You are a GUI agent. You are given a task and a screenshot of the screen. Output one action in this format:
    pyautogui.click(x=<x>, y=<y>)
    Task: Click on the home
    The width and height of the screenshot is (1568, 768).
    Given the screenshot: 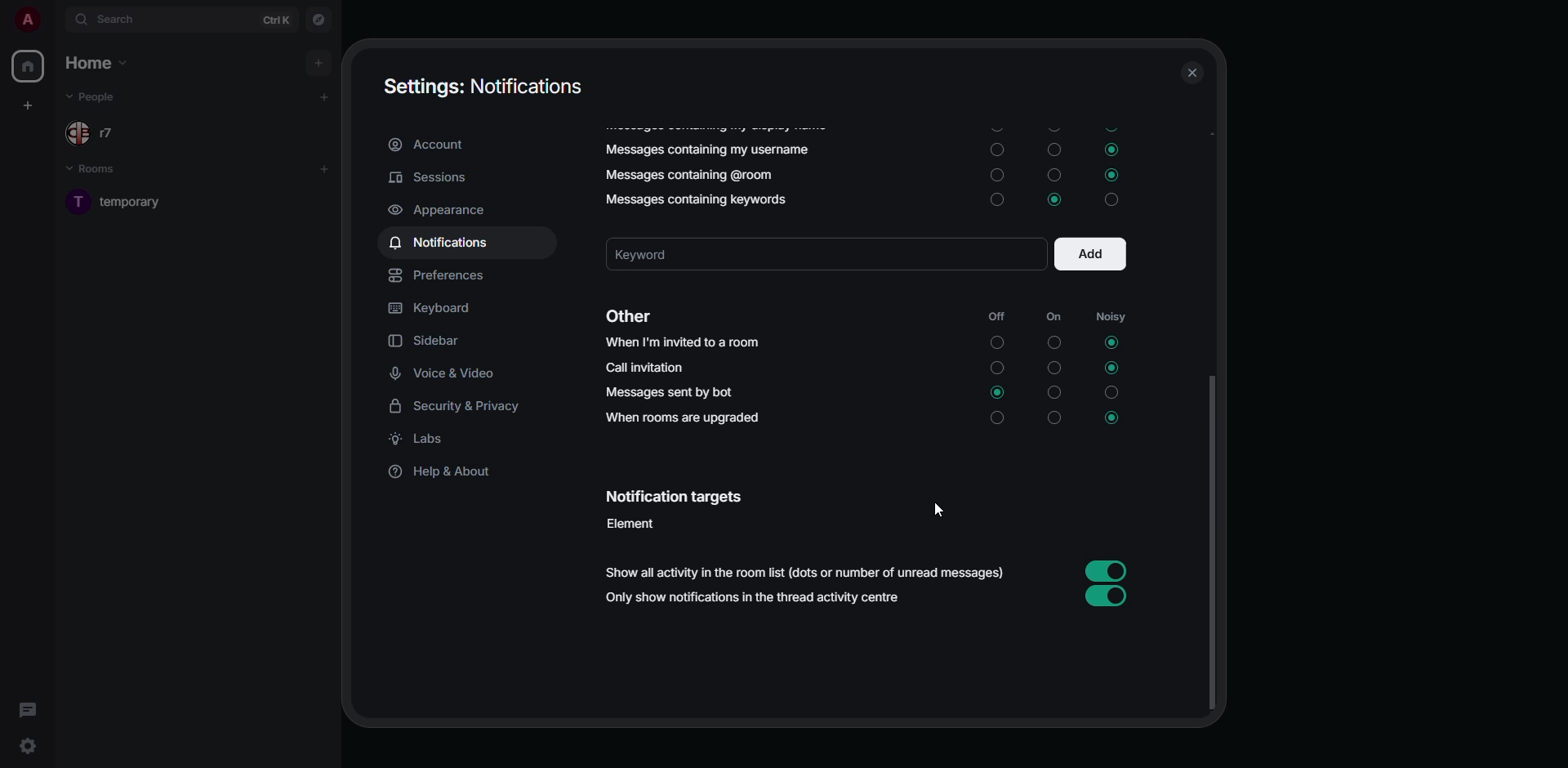 What is the action you would take?
    pyautogui.click(x=31, y=67)
    